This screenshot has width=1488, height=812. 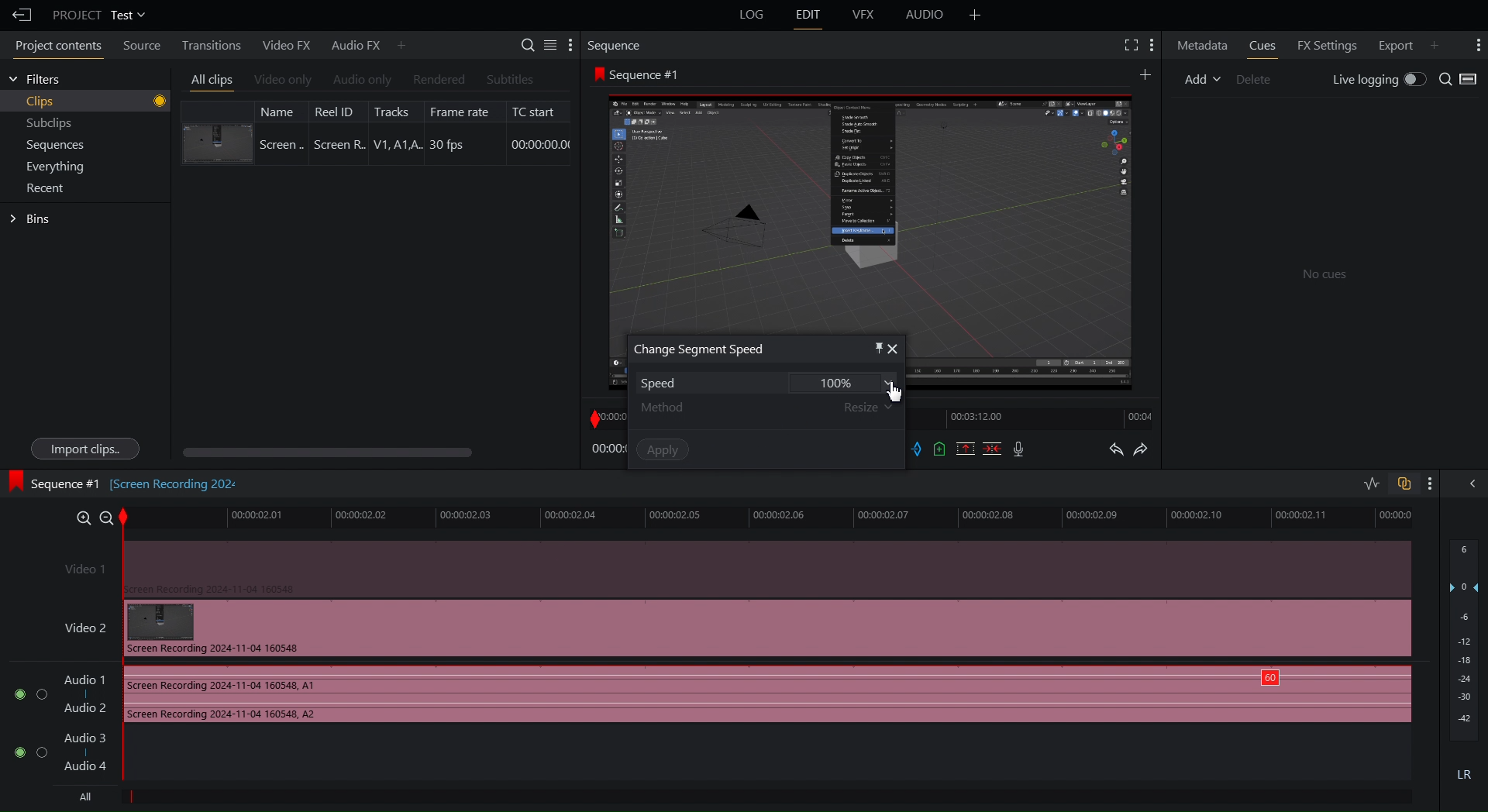 What do you see at coordinates (376, 132) in the screenshot?
I see `Clip` at bounding box center [376, 132].